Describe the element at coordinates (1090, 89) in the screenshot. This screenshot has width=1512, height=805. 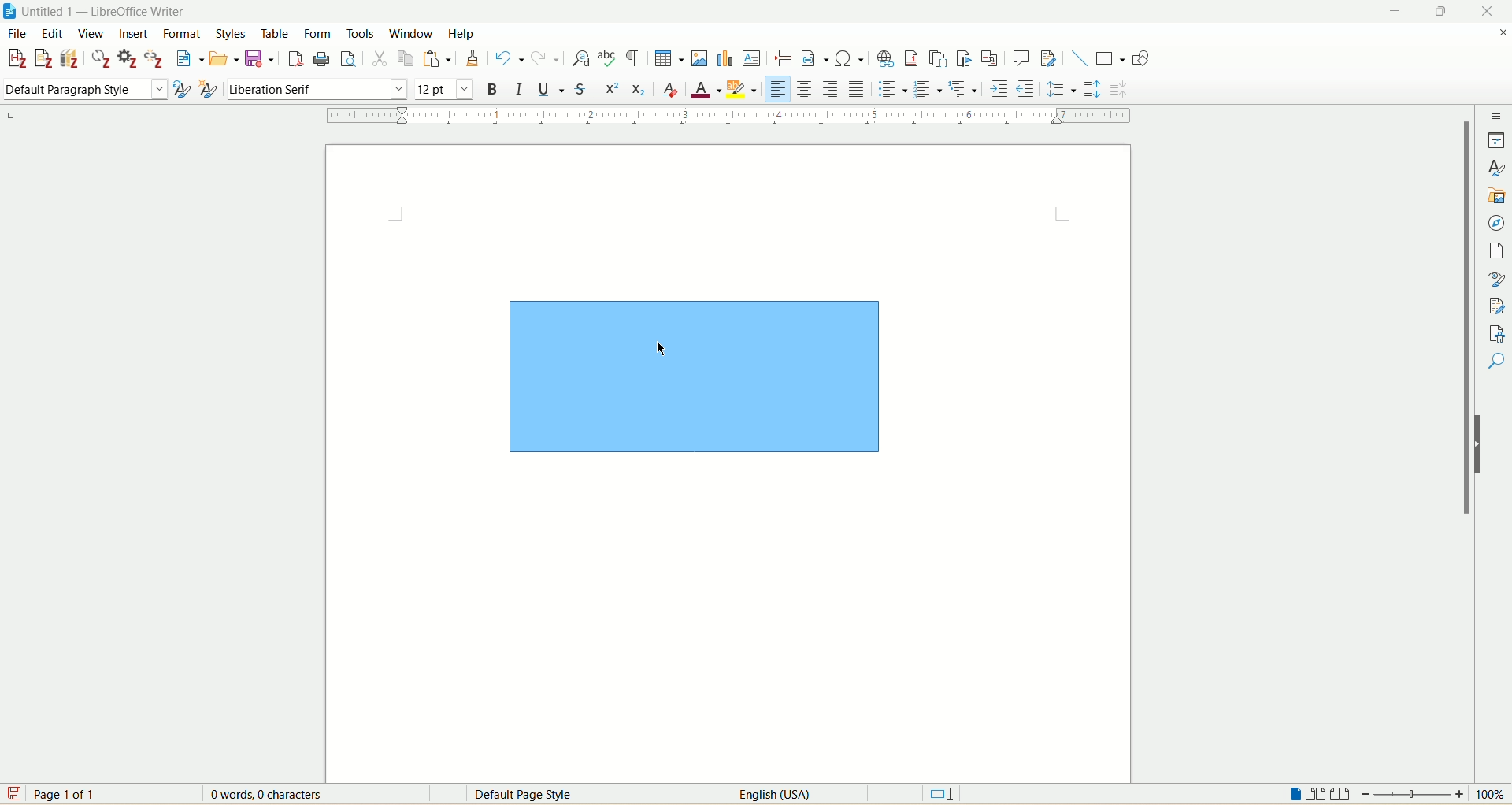
I see `increase paragraph spacing` at that location.